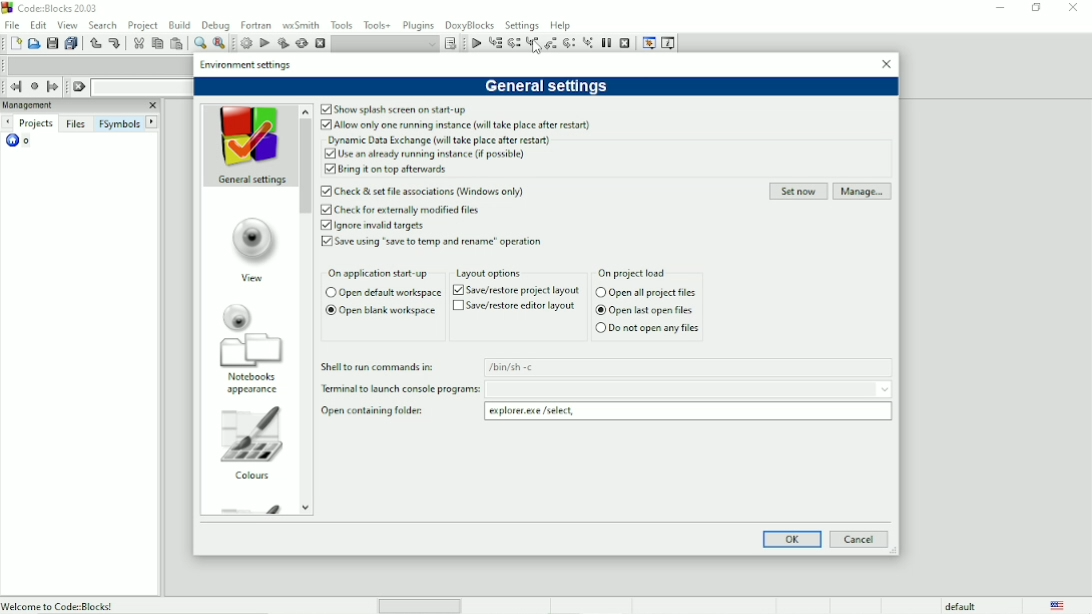 The height and width of the screenshot is (614, 1092). Describe the element at coordinates (382, 293) in the screenshot. I see `Open default workspace` at that location.